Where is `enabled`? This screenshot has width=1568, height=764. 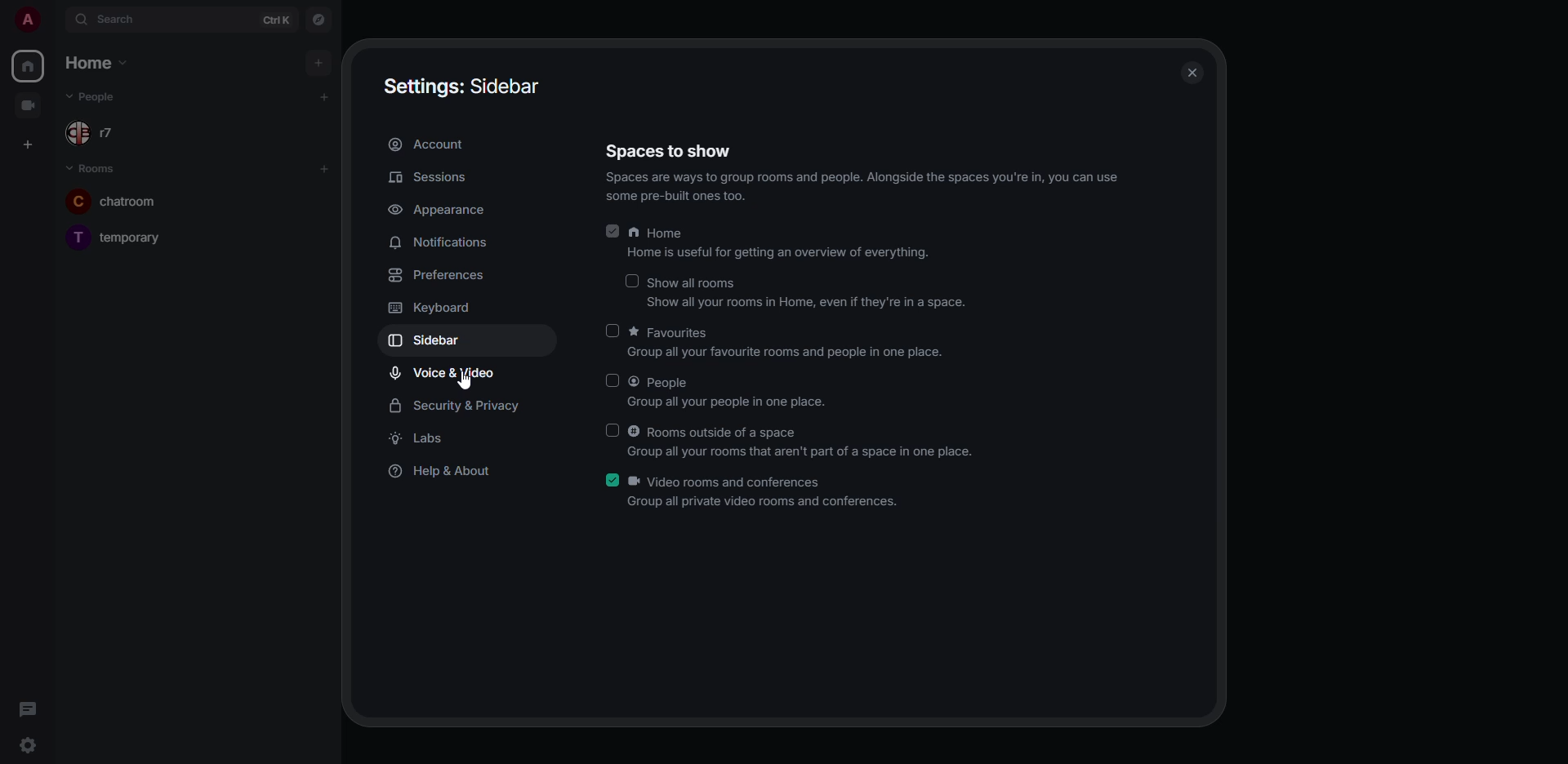
enabled is located at coordinates (608, 229).